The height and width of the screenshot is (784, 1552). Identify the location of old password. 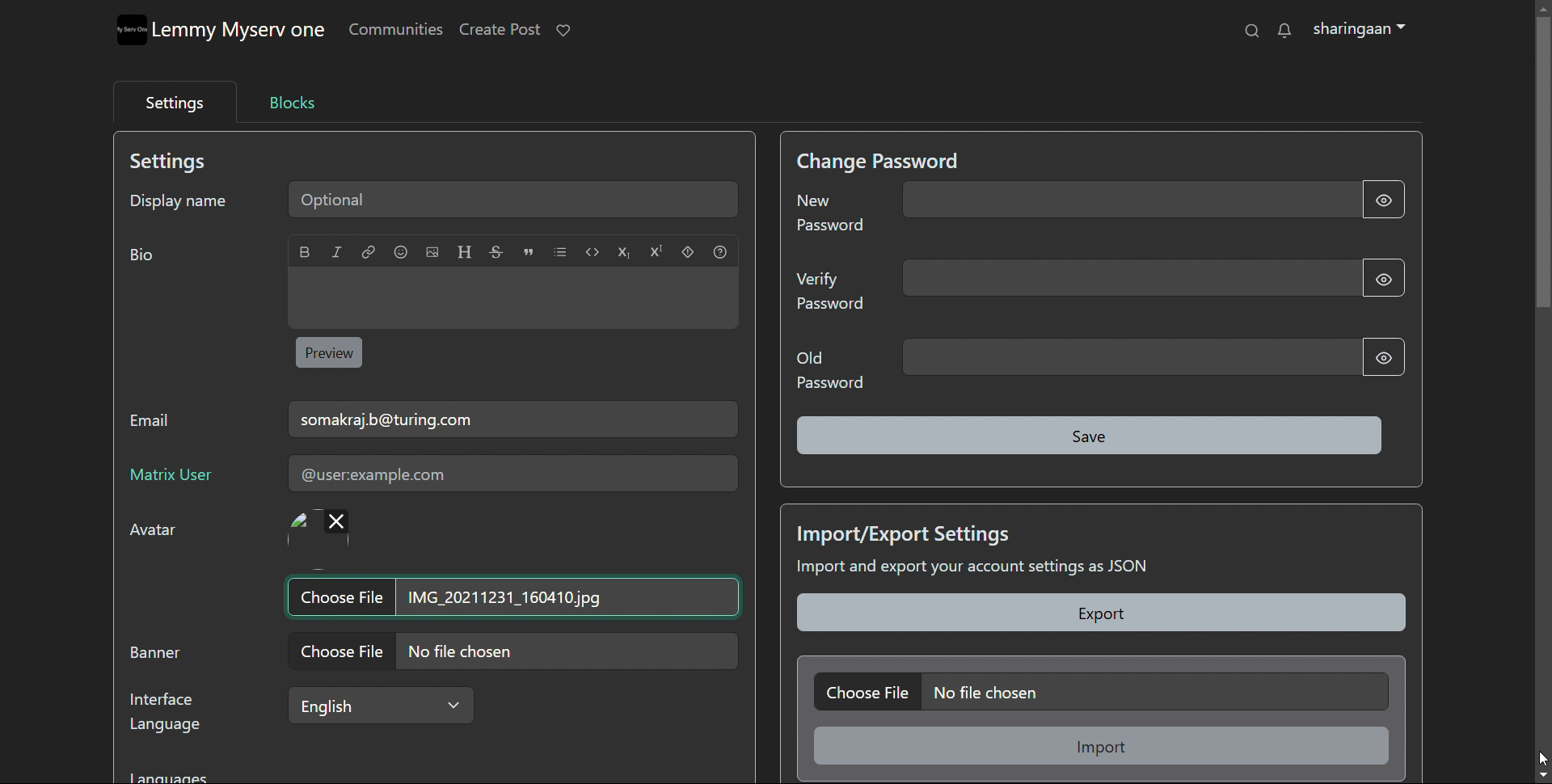
(1132, 357).